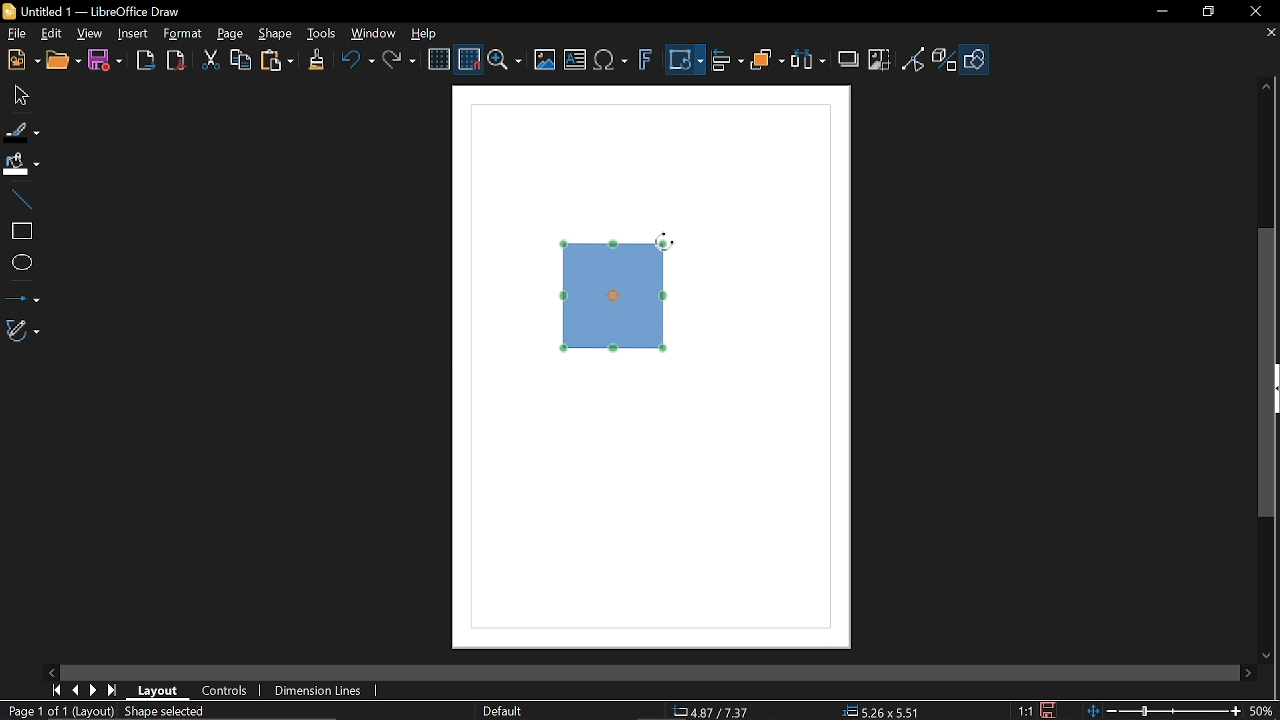  I want to click on Paste, so click(276, 63).